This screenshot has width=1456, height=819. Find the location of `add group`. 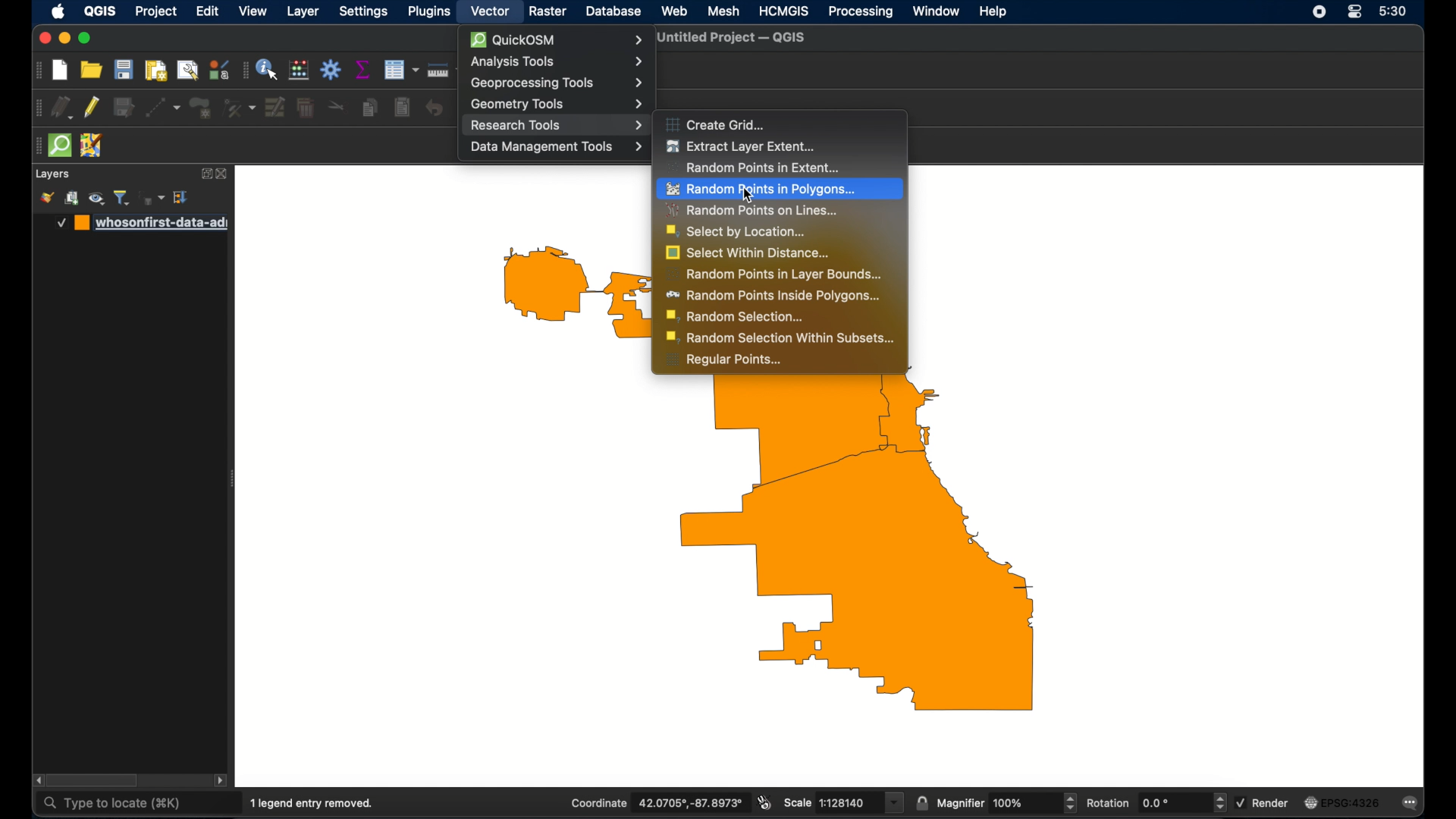

add group is located at coordinates (73, 198).